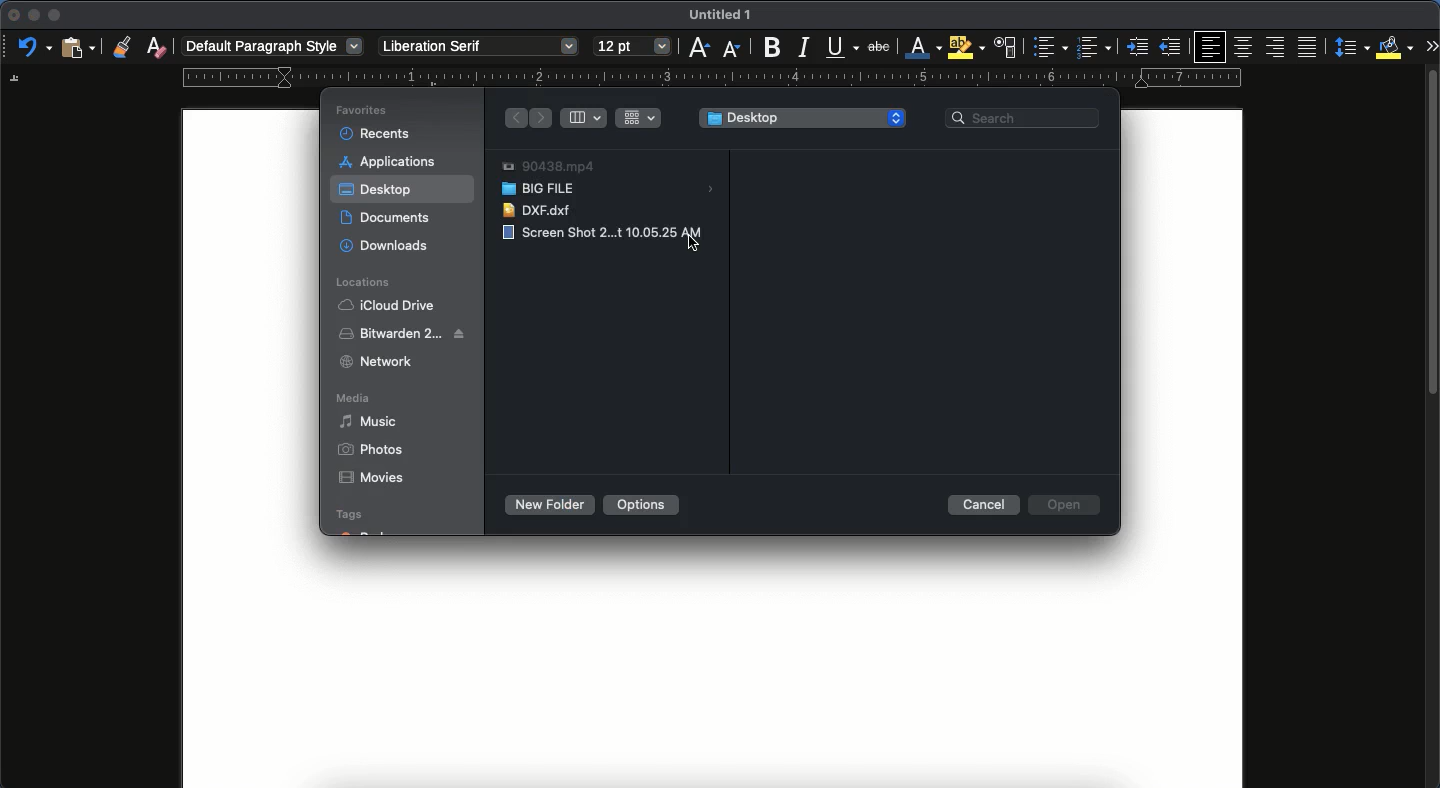 The image size is (1440, 788). Describe the element at coordinates (1431, 45) in the screenshot. I see `expand` at that location.